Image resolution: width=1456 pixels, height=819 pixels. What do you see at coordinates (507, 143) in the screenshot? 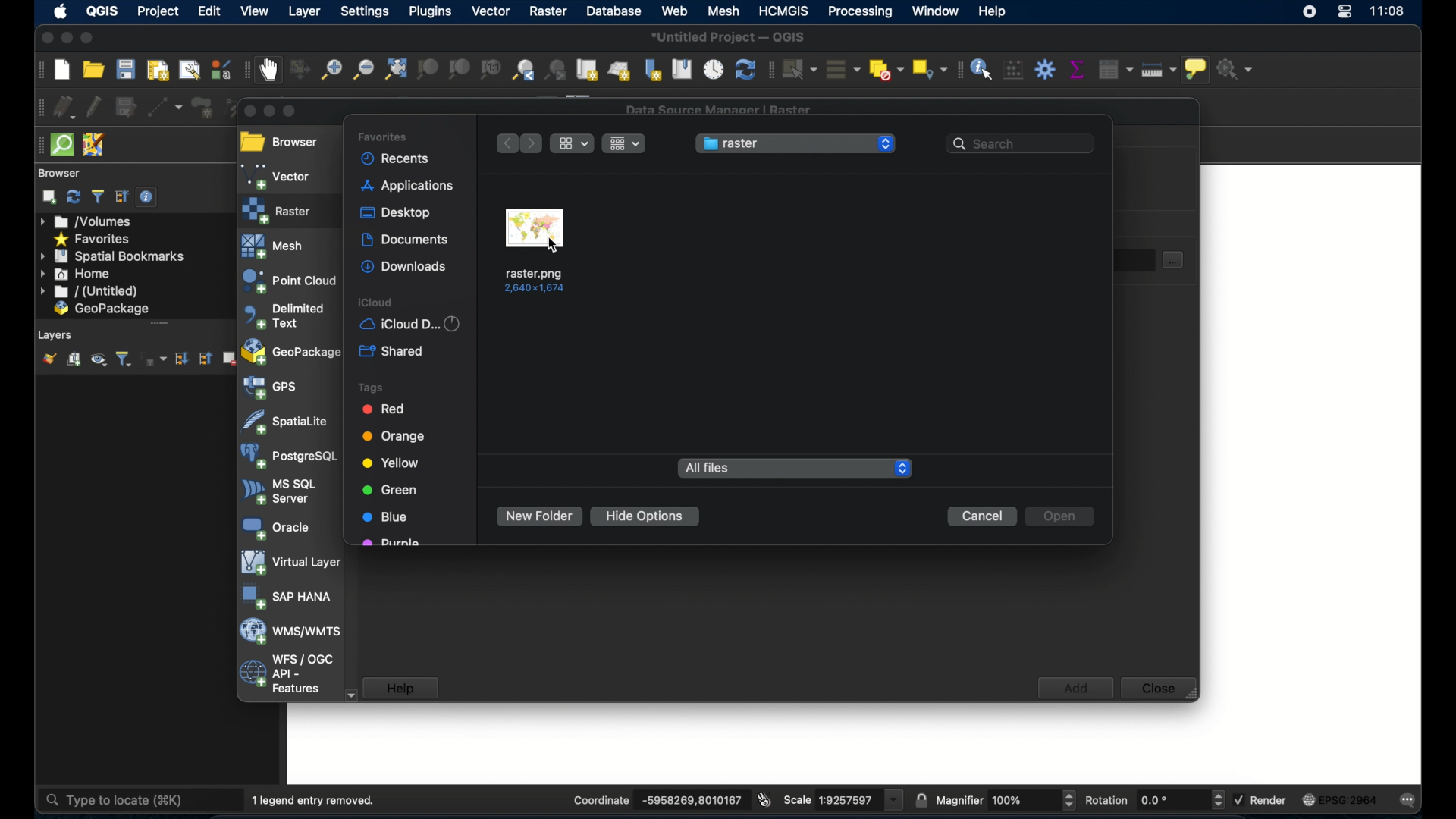
I see `previous` at bounding box center [507, 143].